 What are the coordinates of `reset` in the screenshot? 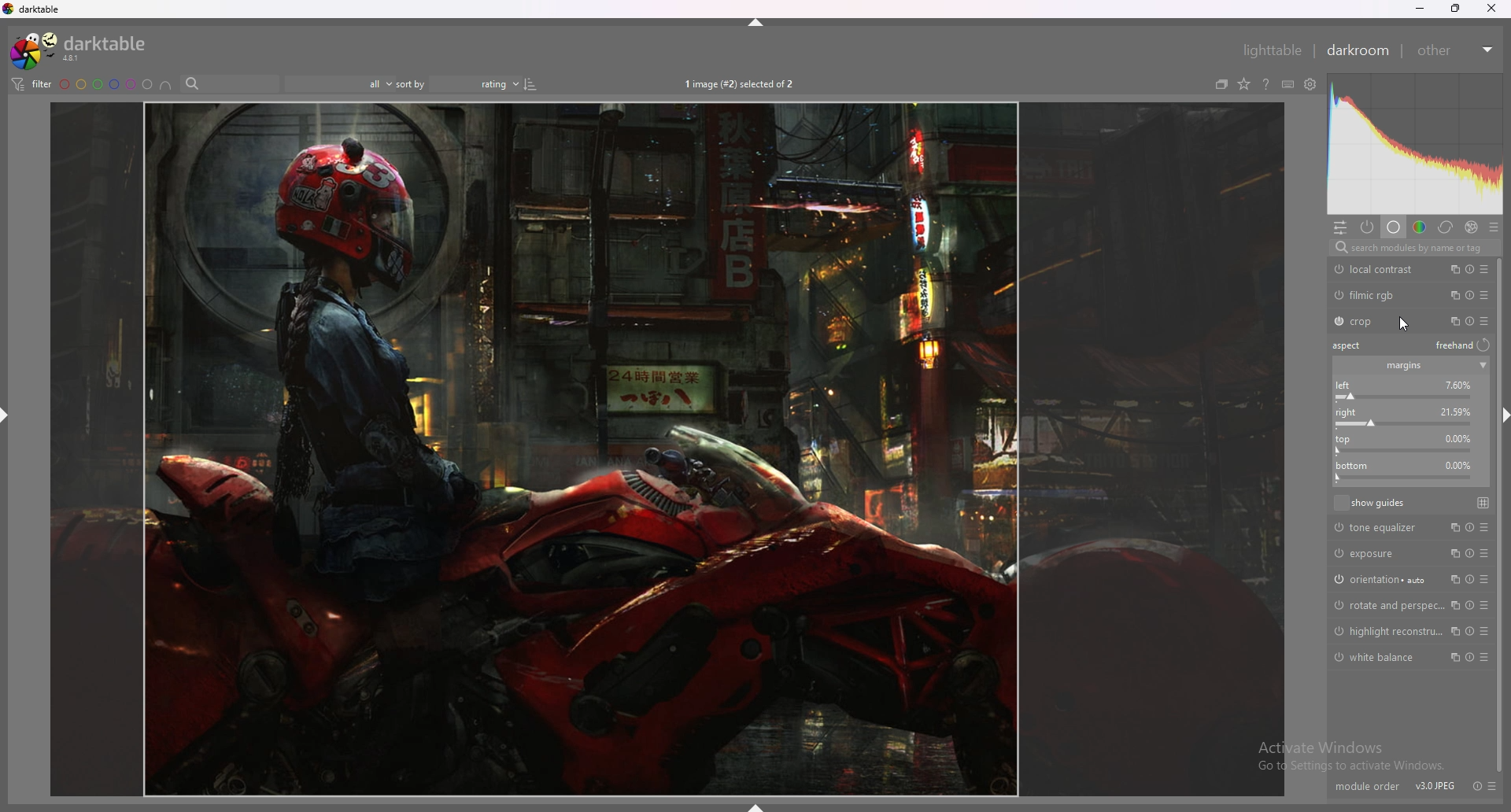 It's located at (1469, 605).